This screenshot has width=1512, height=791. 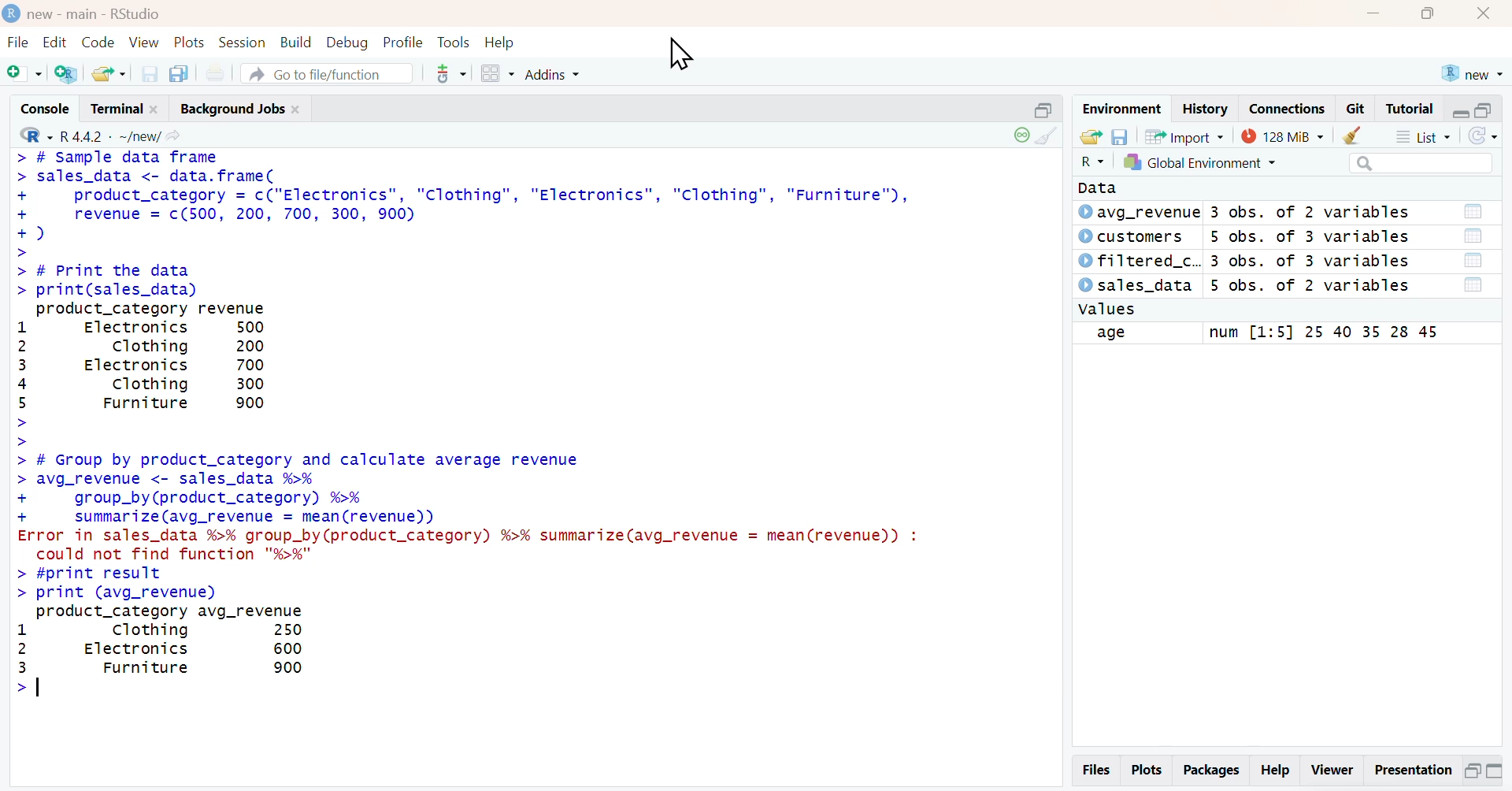 What do you see at coordinates (1485, 111) in the screenshot?
I see `maximize pane` at bounding box center [1485, 111].